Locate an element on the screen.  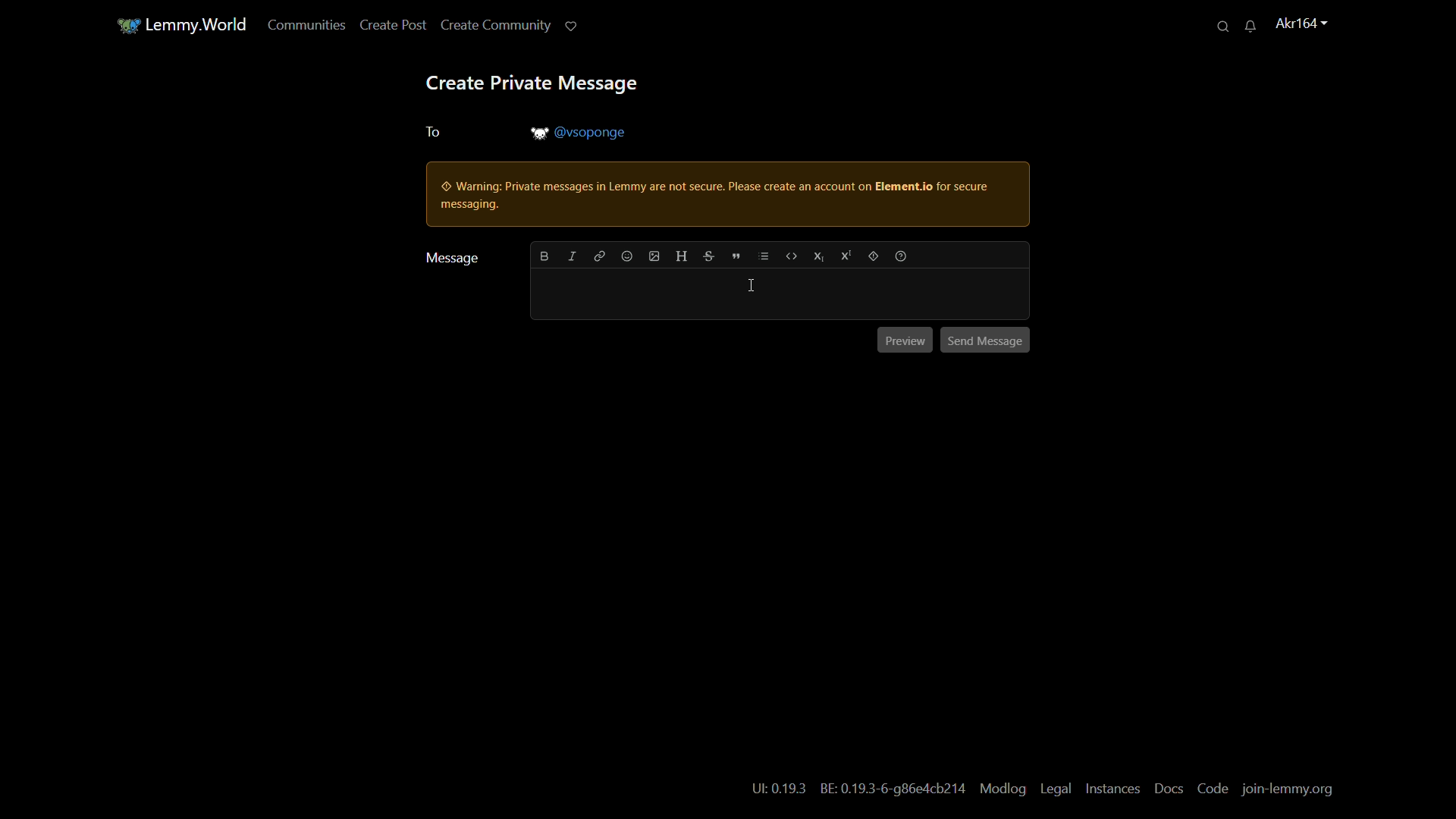
bold is located at coordinates (544, 257).